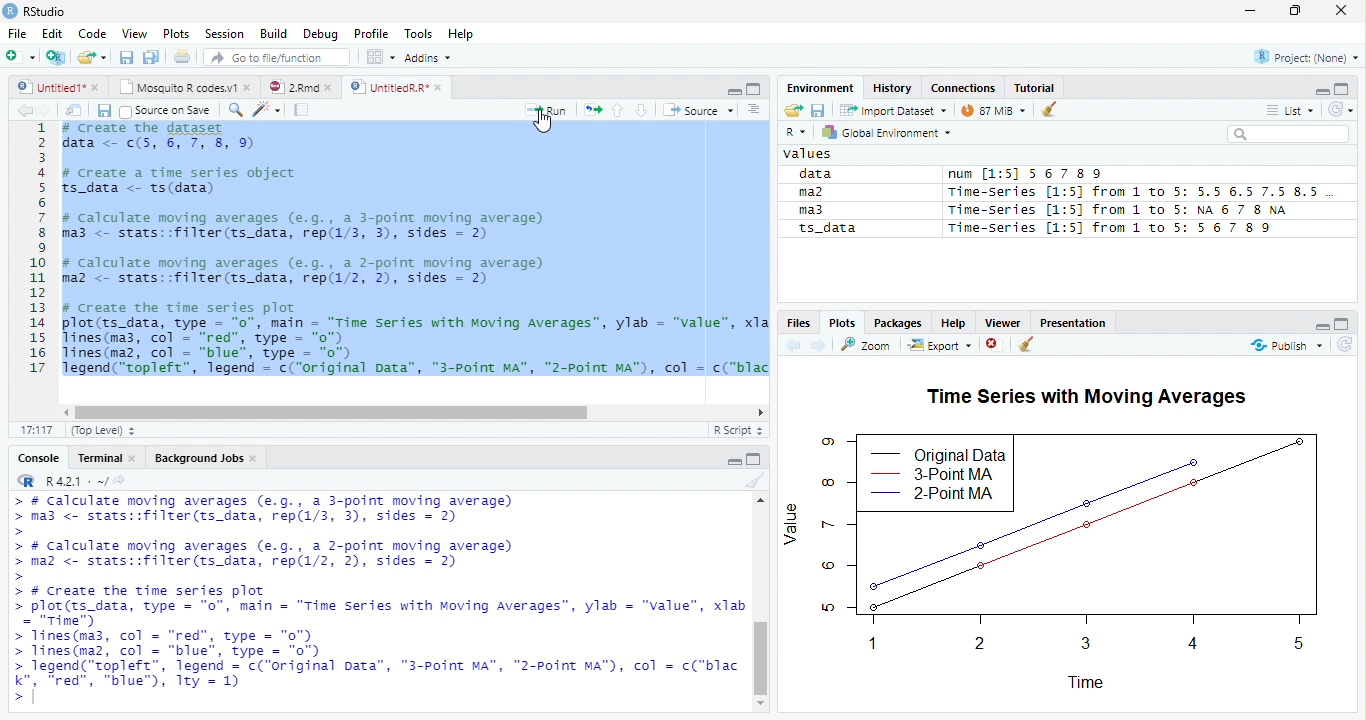 This screenshot has height=720, width=1366. What do you see at coordinates (197, 458) in the screenshot?
I see `Background Jobs` at bounding box center [197, 458].